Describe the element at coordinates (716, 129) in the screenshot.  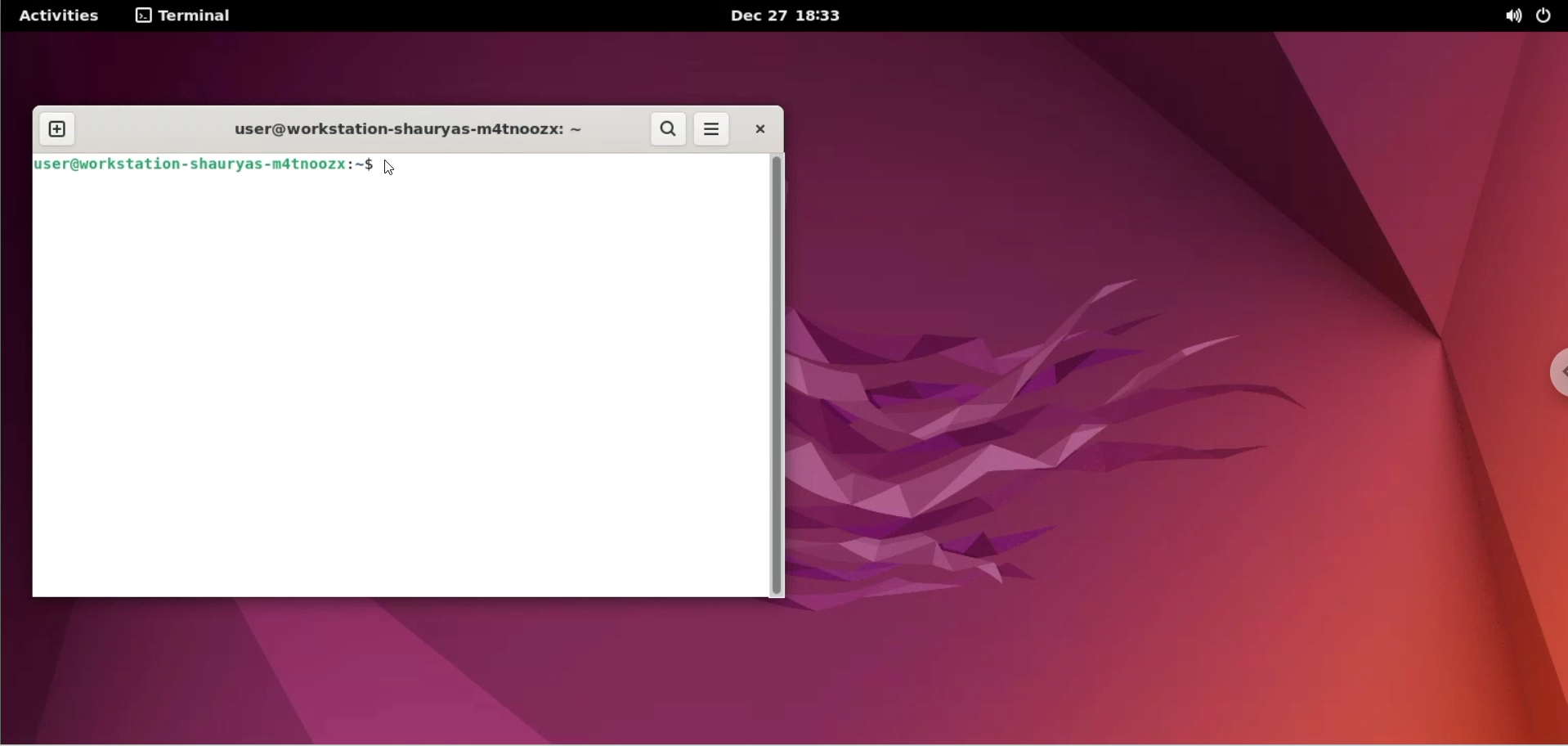
I see `more options` at that location.